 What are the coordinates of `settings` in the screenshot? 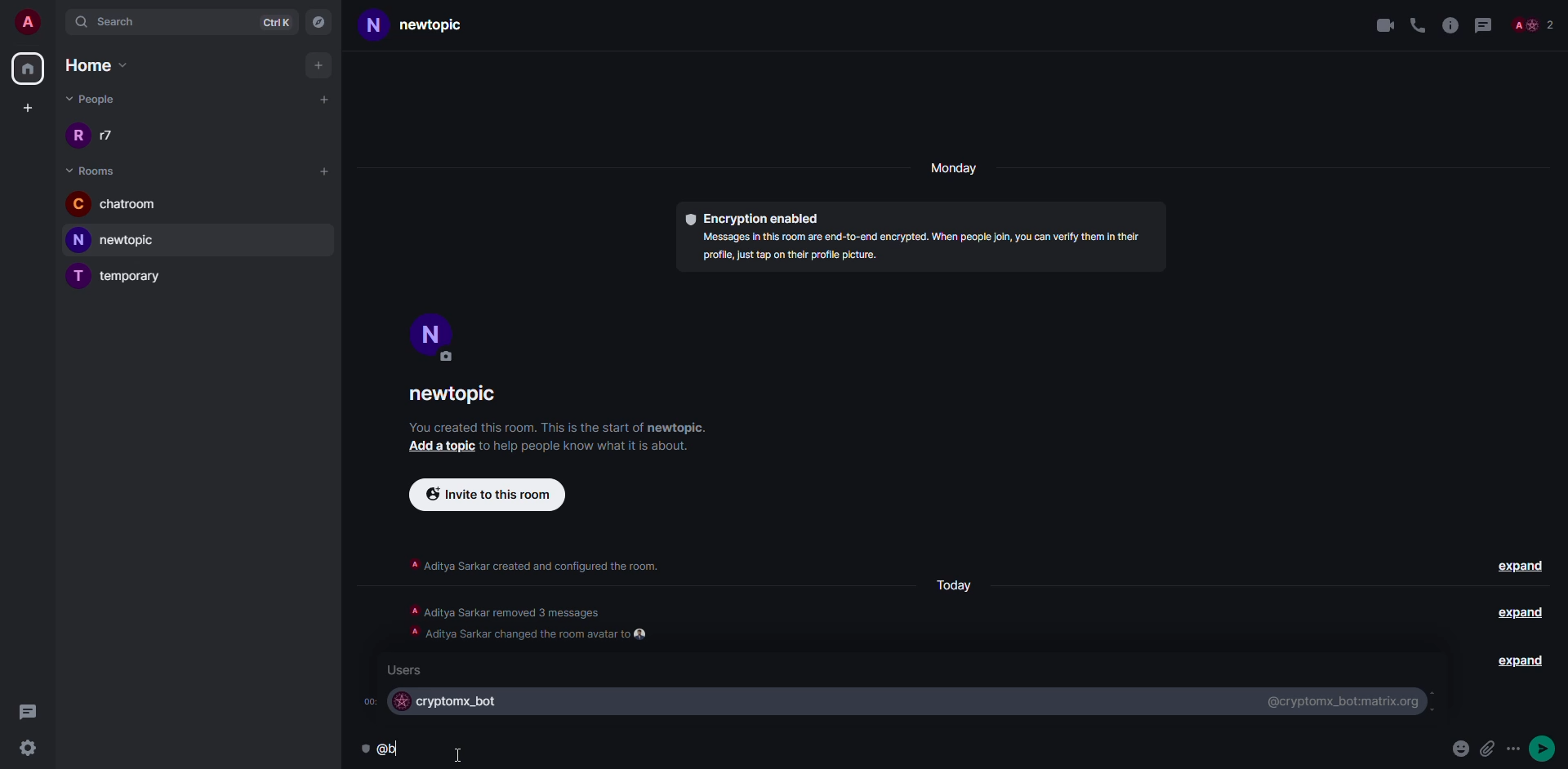 It's located at (27, 749).